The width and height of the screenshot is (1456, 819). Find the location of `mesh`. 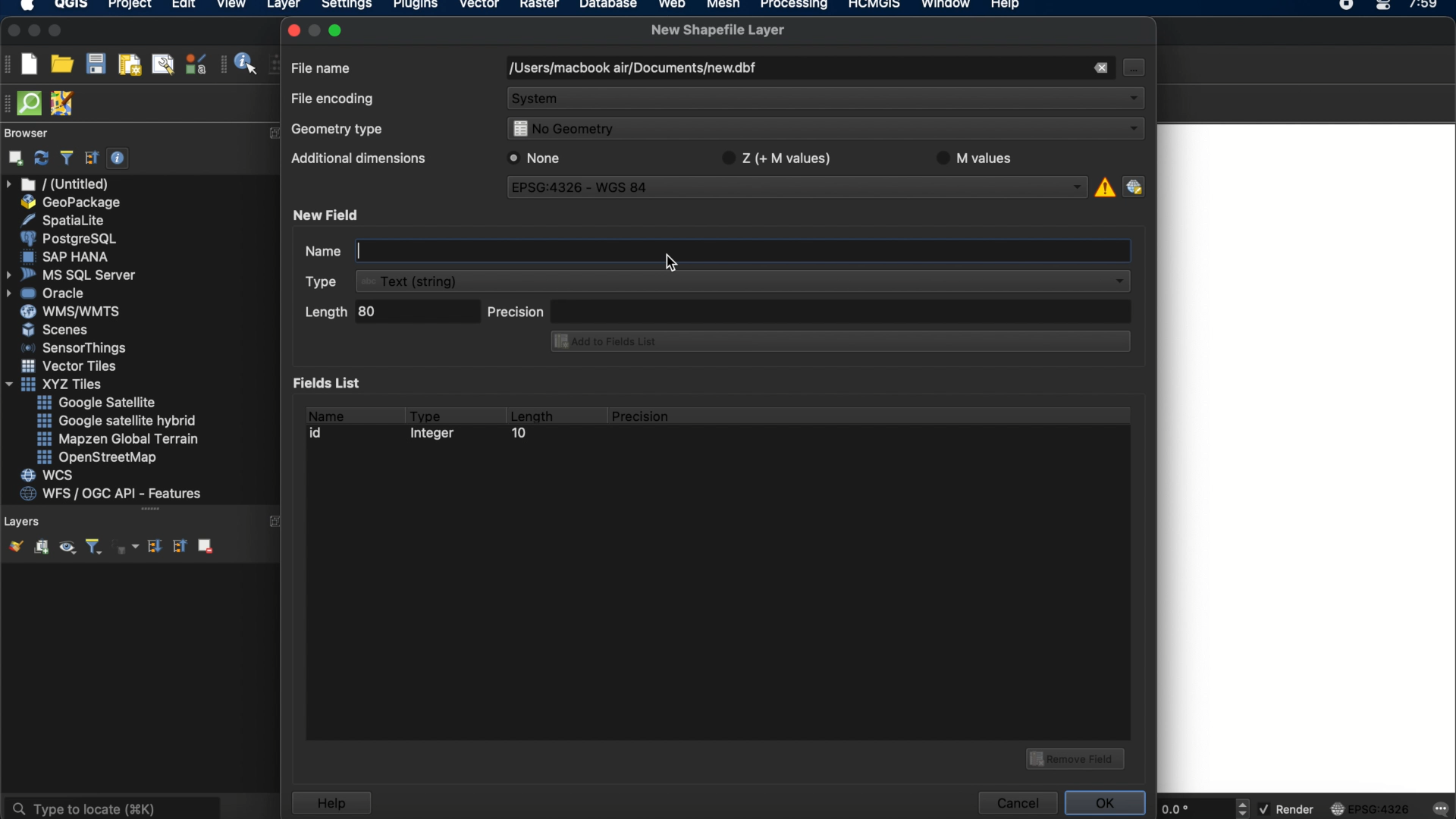

mesh is located at coordinates (723, 6).